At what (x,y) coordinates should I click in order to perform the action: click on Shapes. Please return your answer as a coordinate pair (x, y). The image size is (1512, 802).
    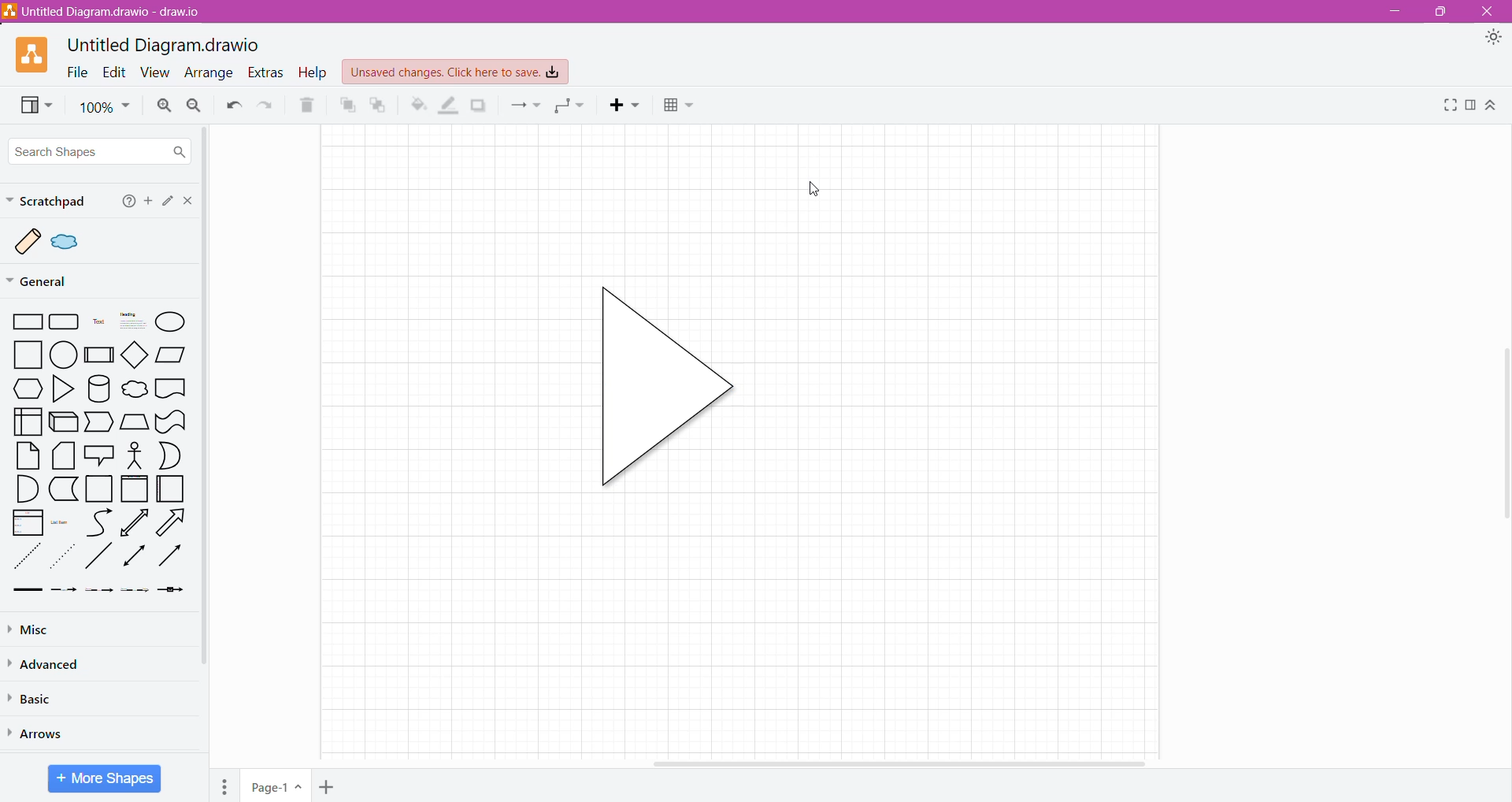
    Looking at the image, I should click on (102, 455).